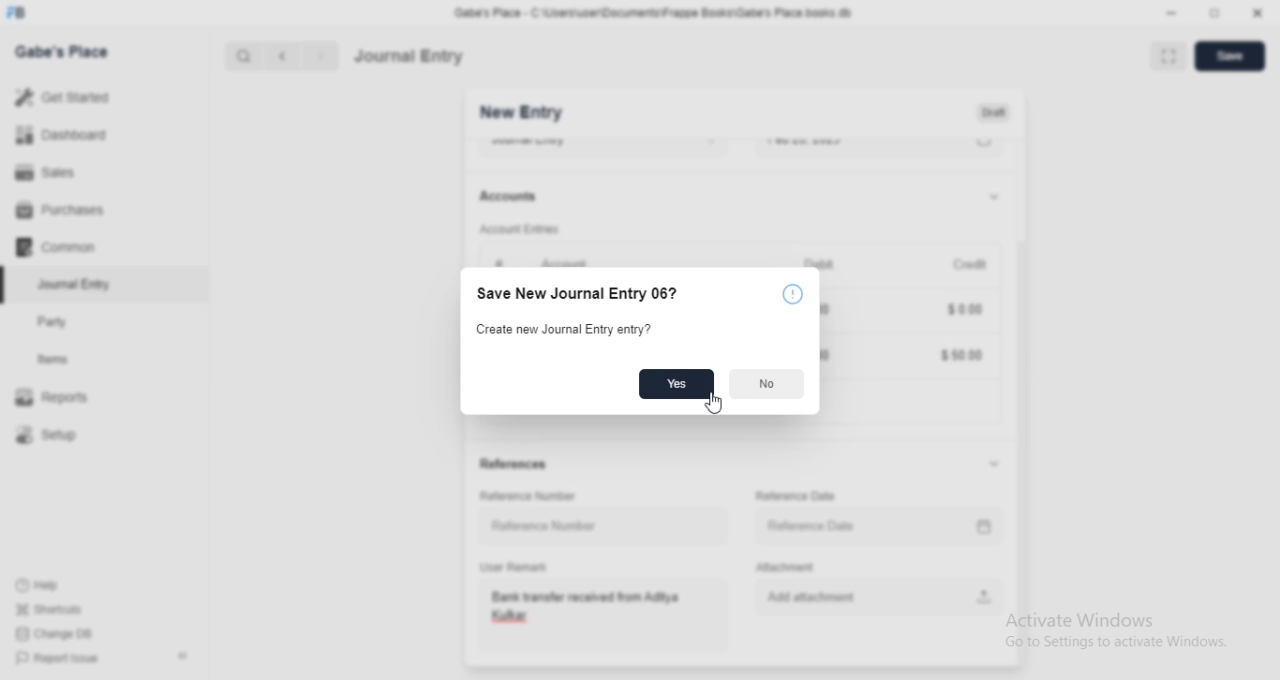 The width and height of the screenshot is (1280, 680). Describe the element at coordinates (714, 403) in the screenshot. I see `cursor` at that location.